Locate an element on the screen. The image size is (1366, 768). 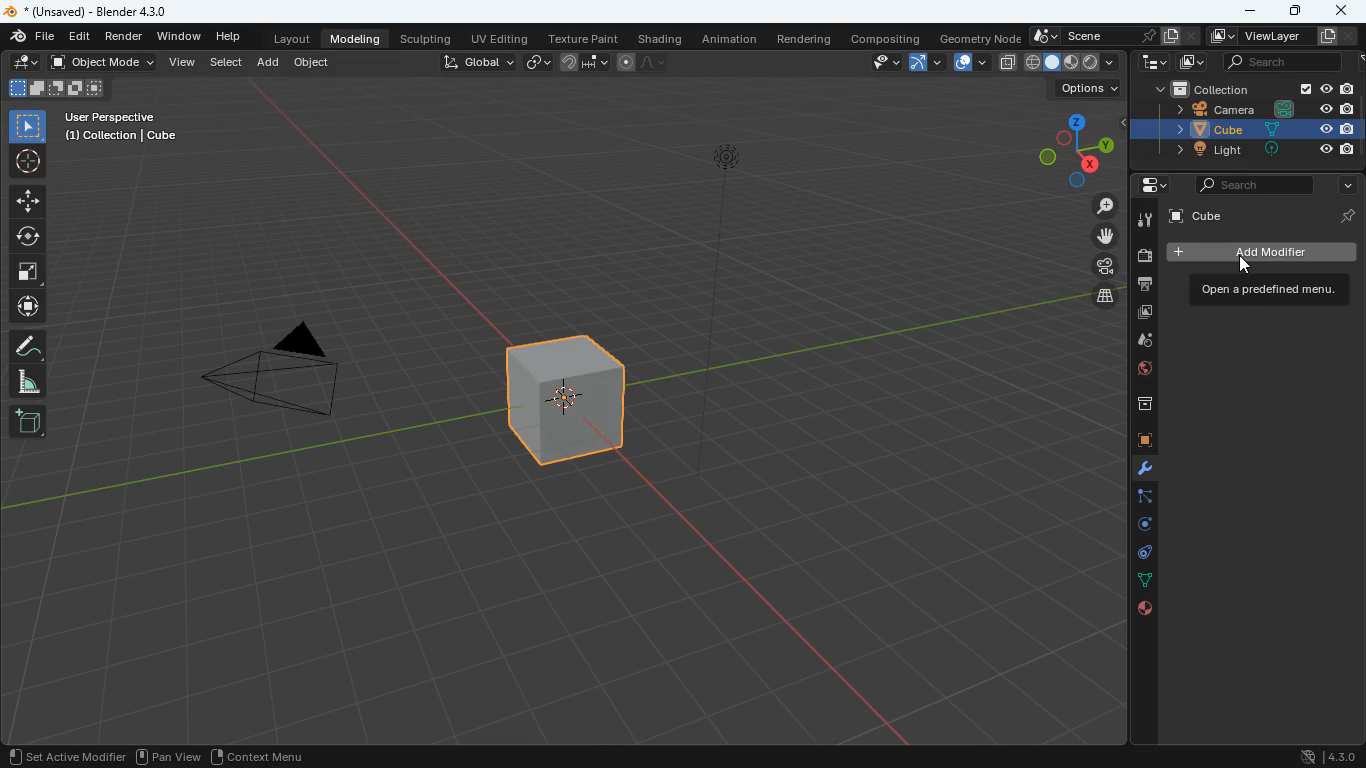
uv editing is located at coordinates (499, 37).